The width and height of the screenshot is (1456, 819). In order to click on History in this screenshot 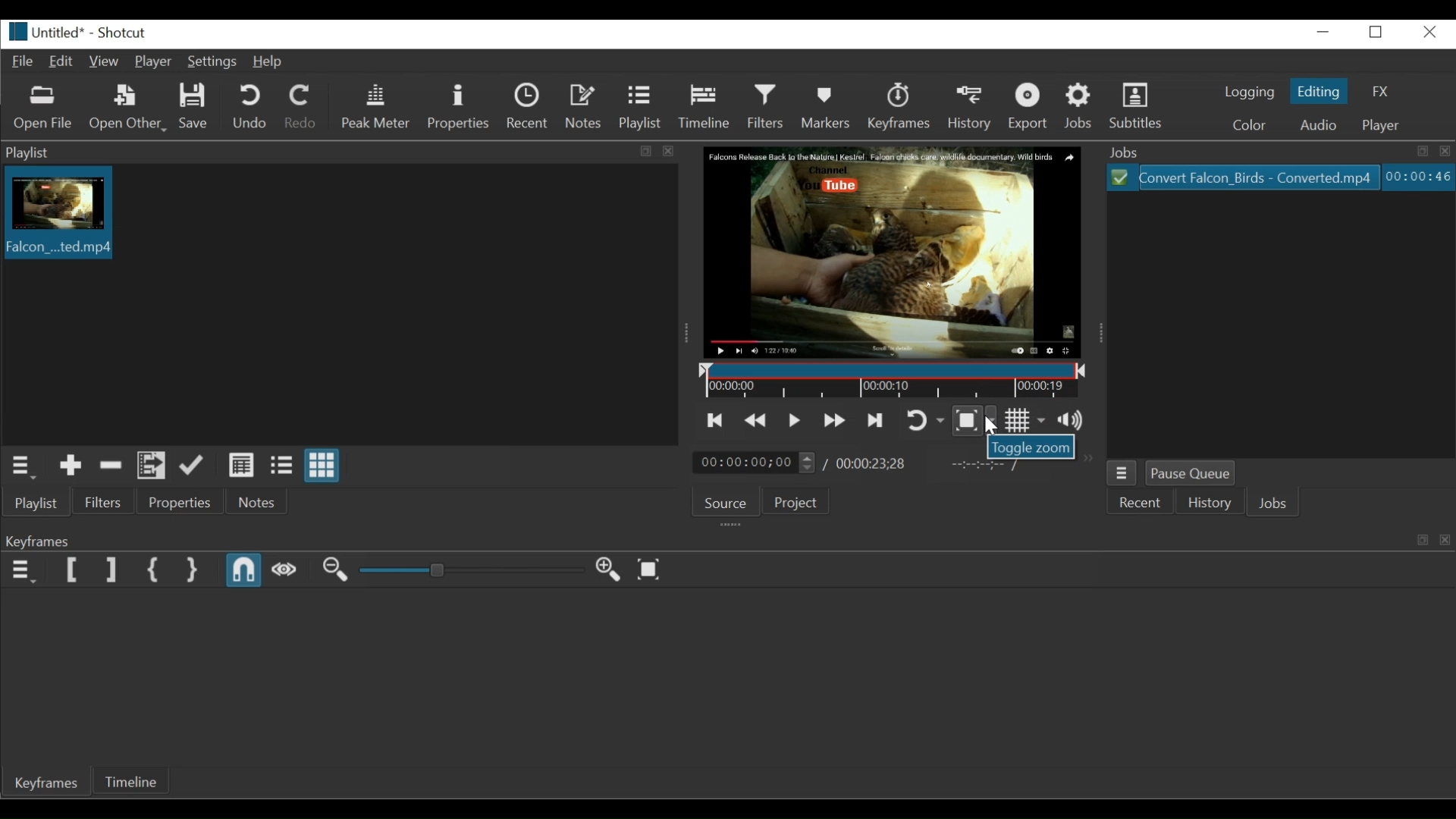, I will do `click(971, 108)`.